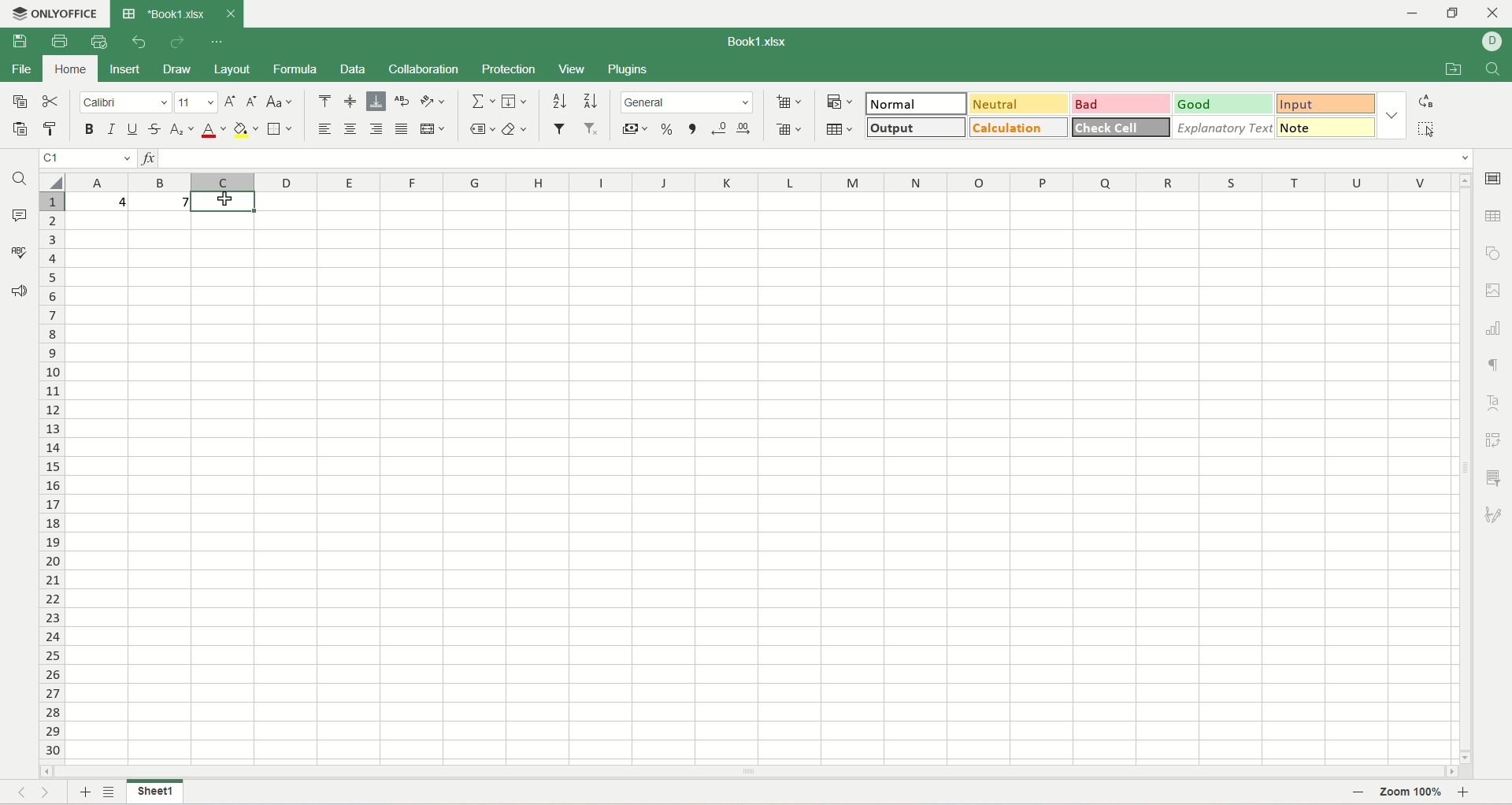  I want to click on paste, so click(21, 131).